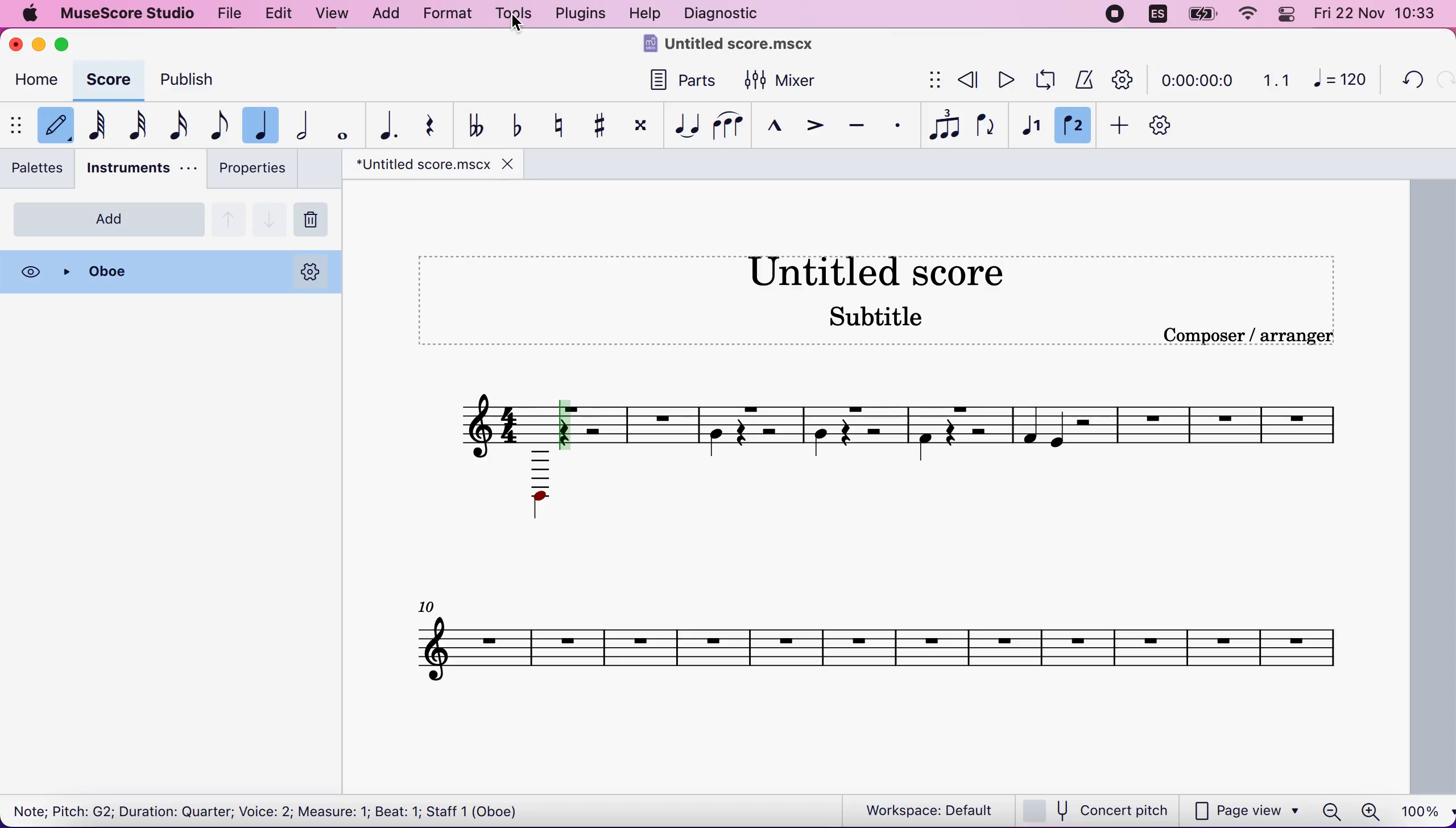 This screenshot has width=1456, height=828. Describe the element at coordinates (280, 15) in the screenshot. I see `edit` at that location.